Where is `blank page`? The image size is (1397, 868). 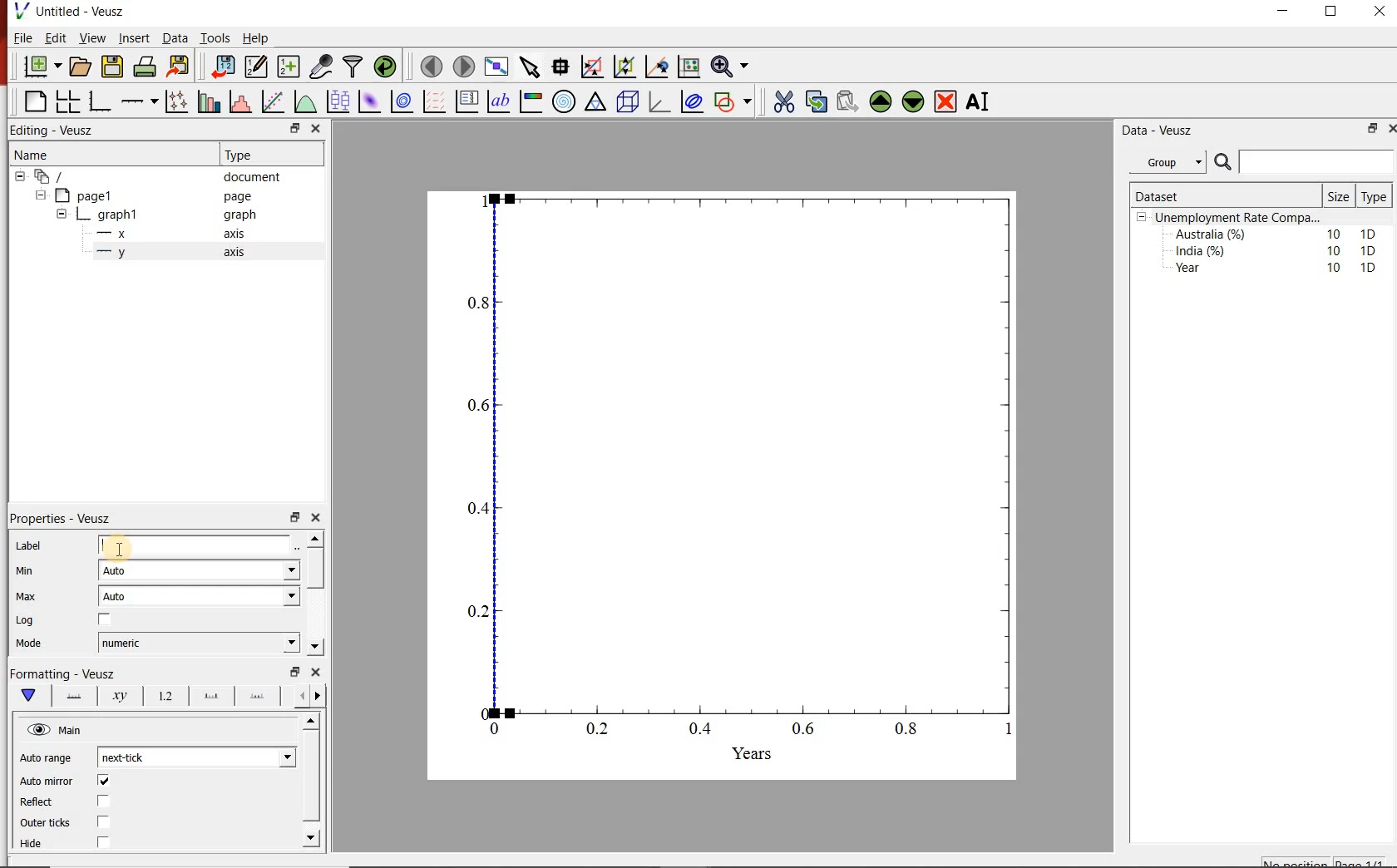
blank page is located at coordinates (34, 100).